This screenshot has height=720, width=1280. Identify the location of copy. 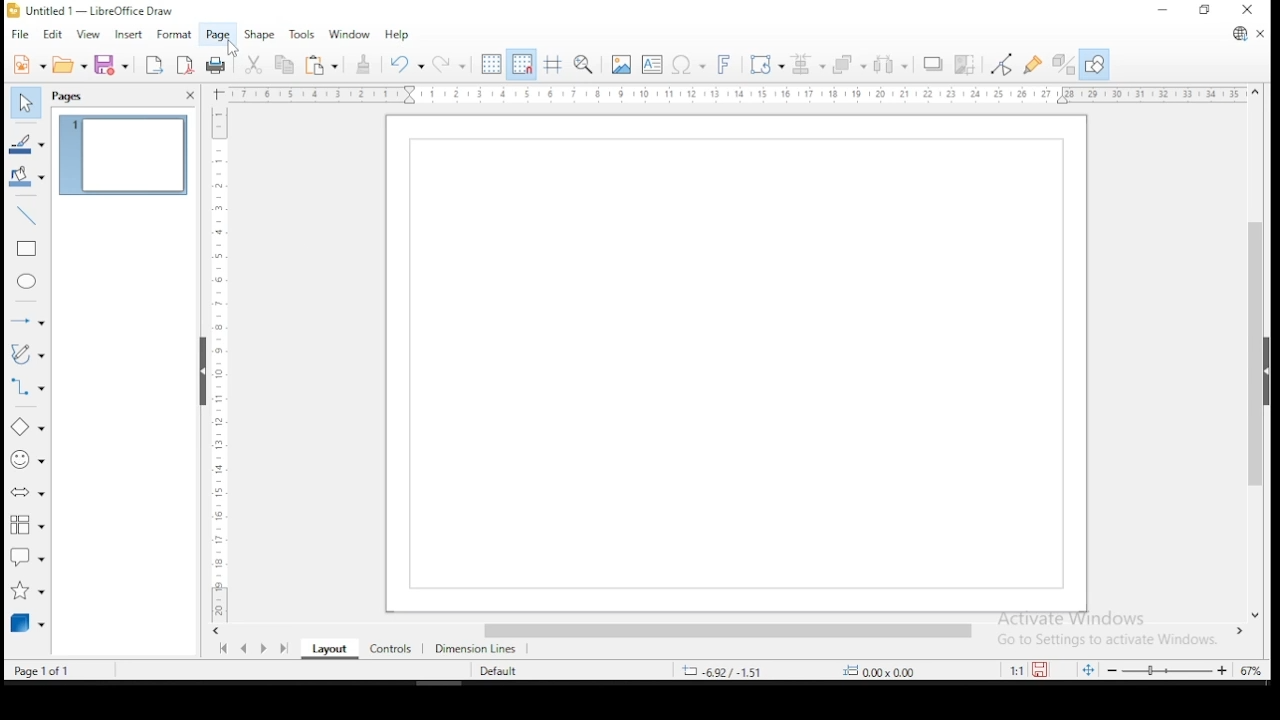
(282, 67).